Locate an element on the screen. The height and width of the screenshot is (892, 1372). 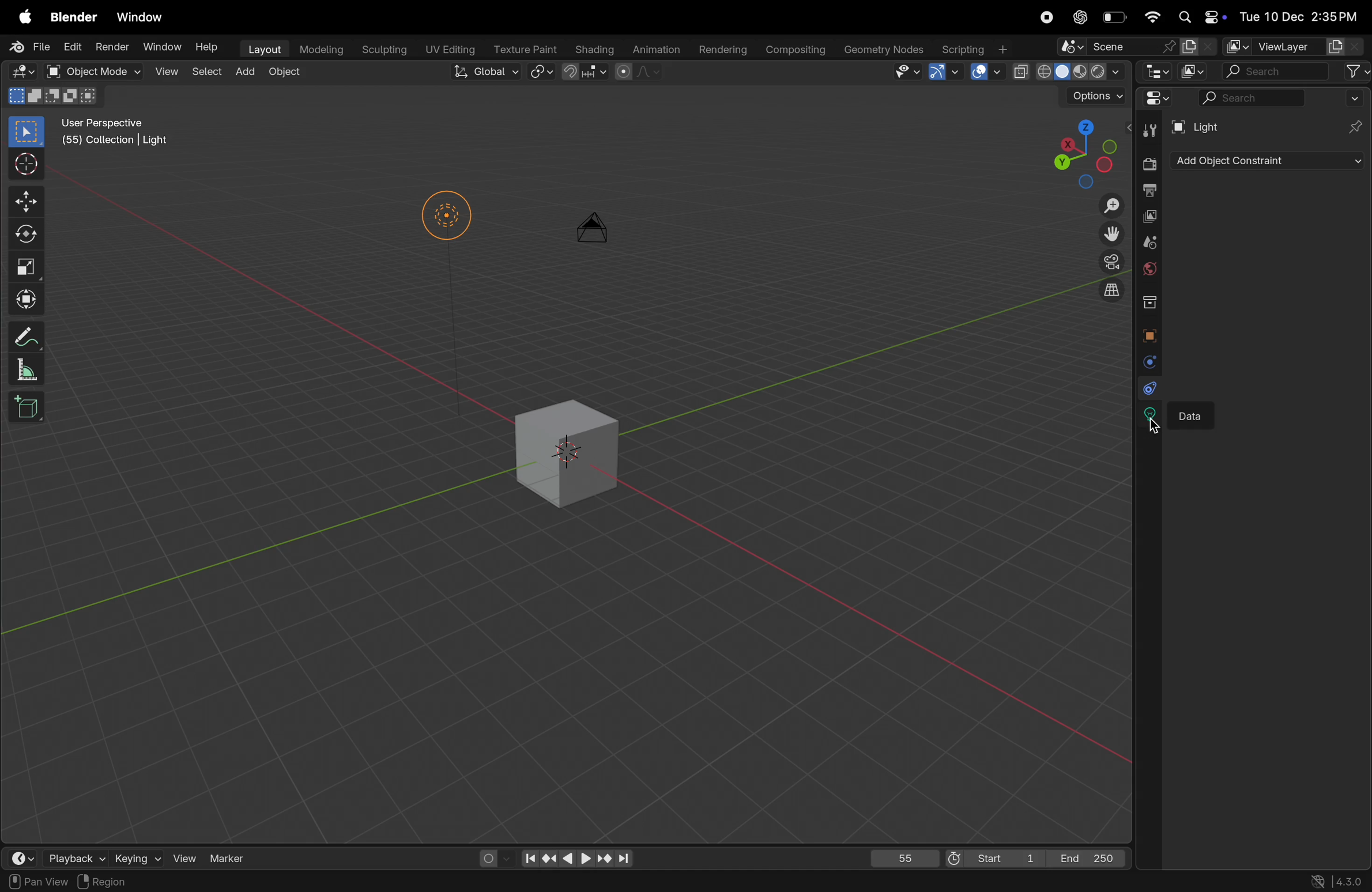
keying is located at coordinates (138, 857).